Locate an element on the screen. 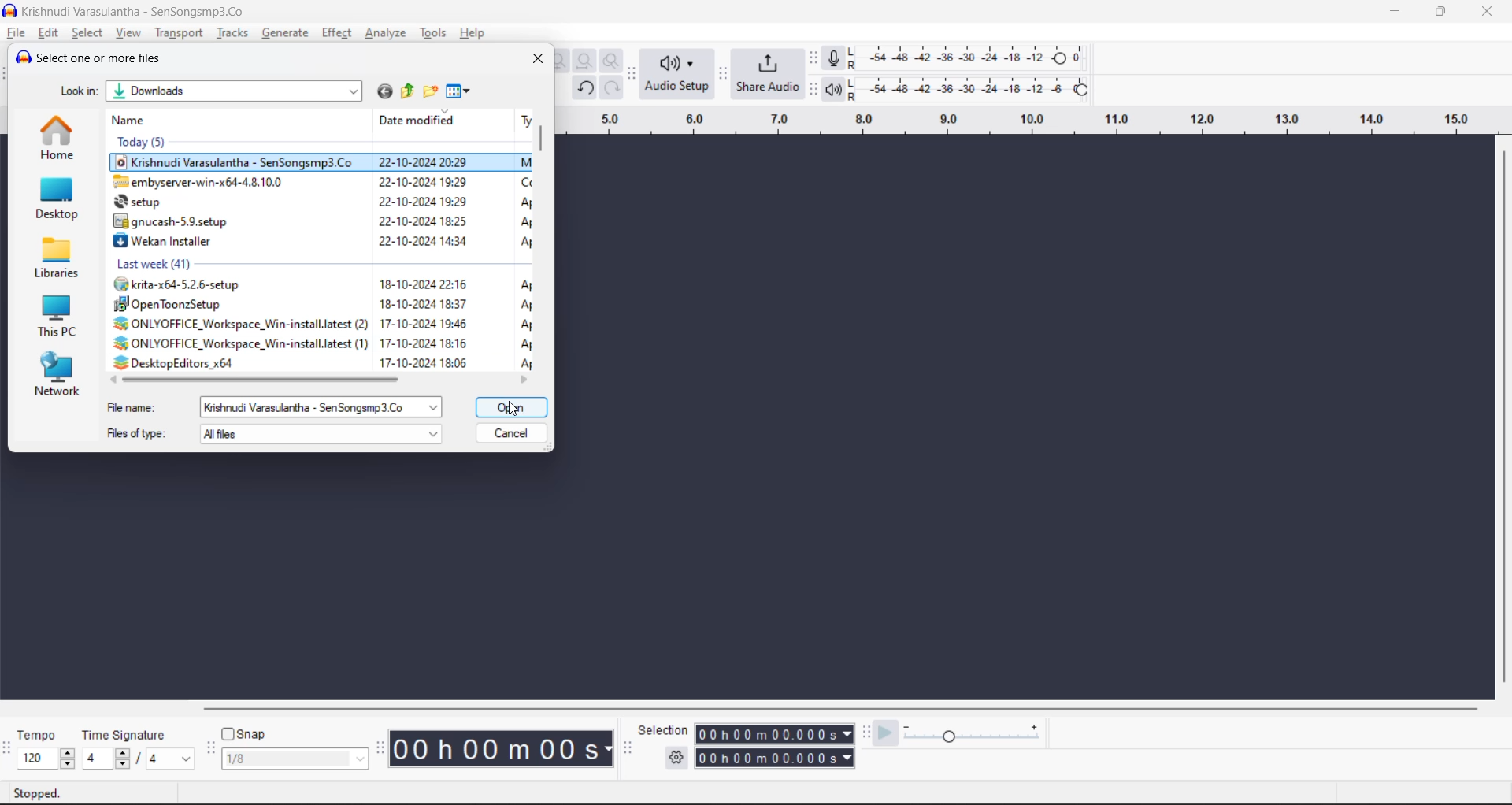  tools is located at coordinates (435, 33).